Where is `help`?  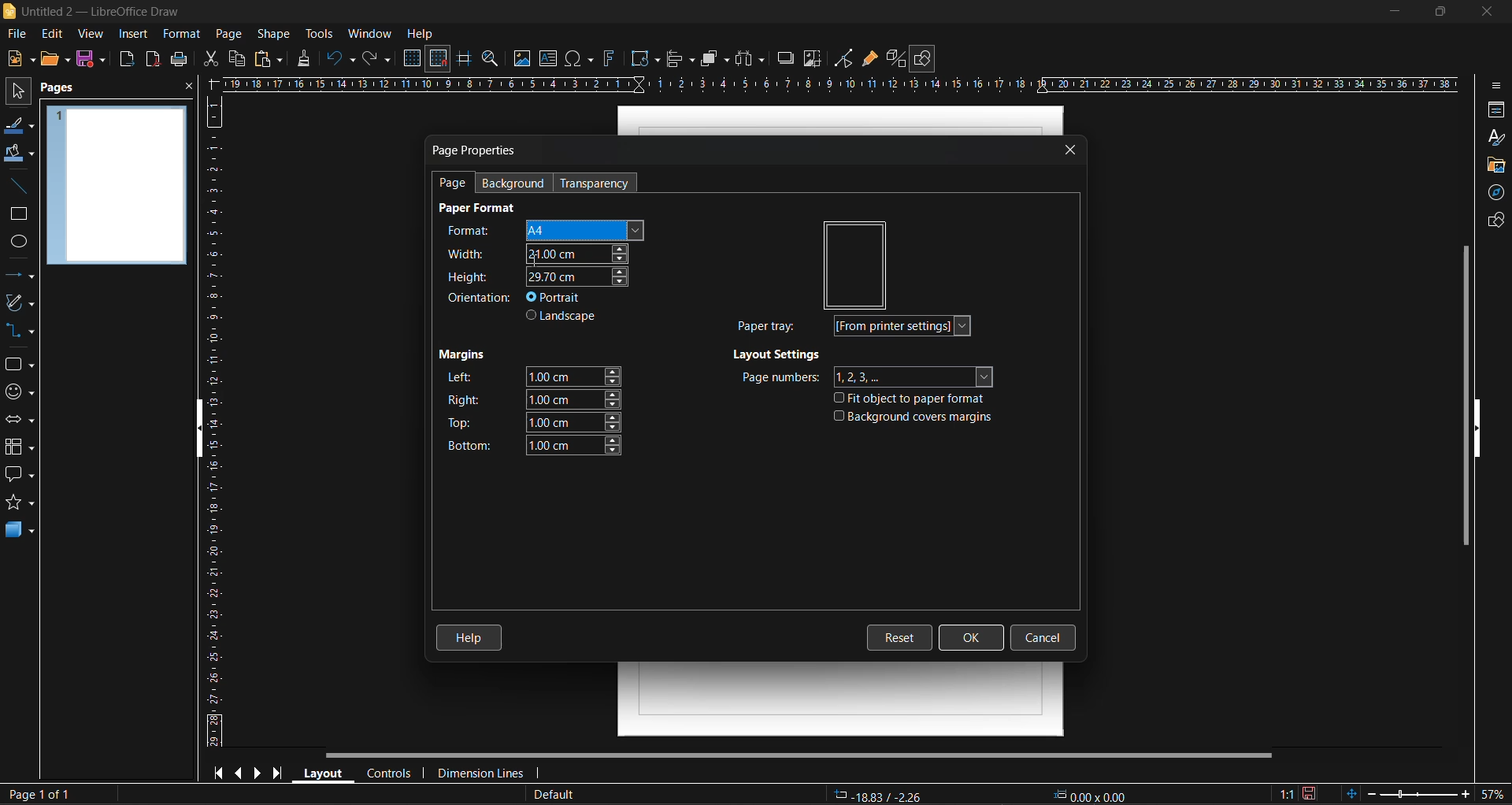
help is located at coordinates (421, 33).